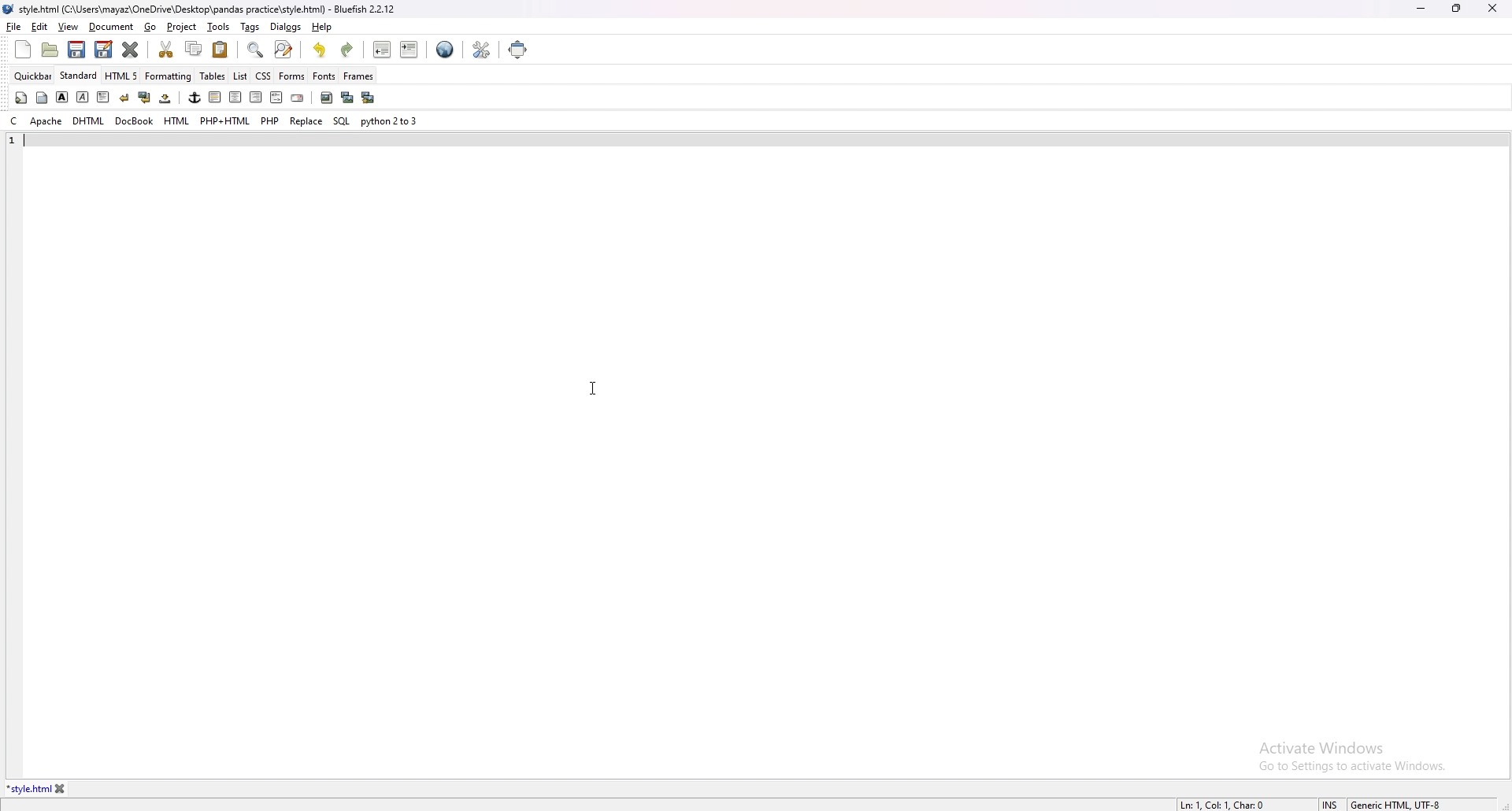  Describe the element at coordinates (225, 121) in the screenshot. I see `php+html` at that location.